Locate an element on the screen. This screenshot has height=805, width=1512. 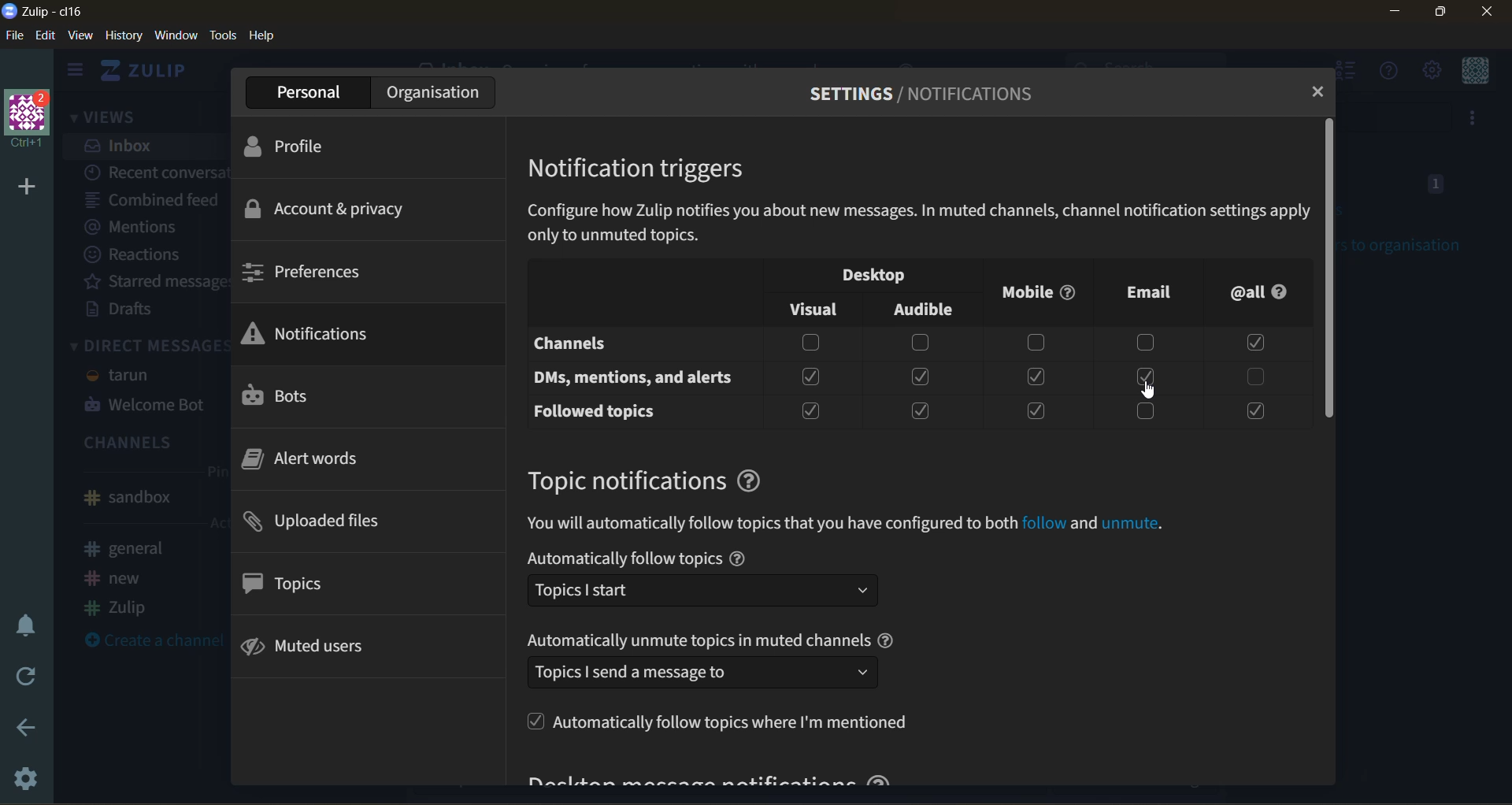
cursor is located at coordinates (1148, 386).